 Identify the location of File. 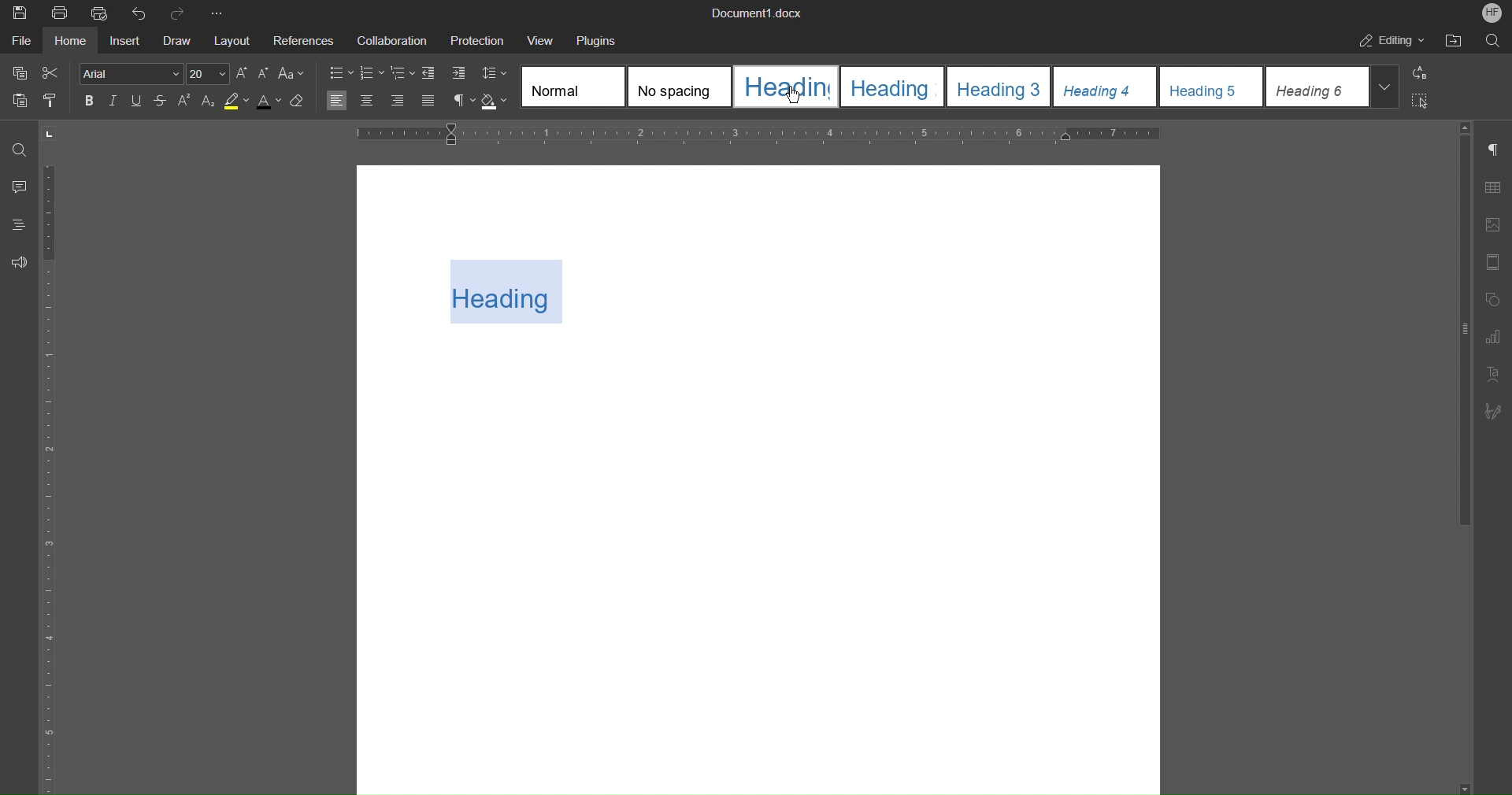
(20, 42).